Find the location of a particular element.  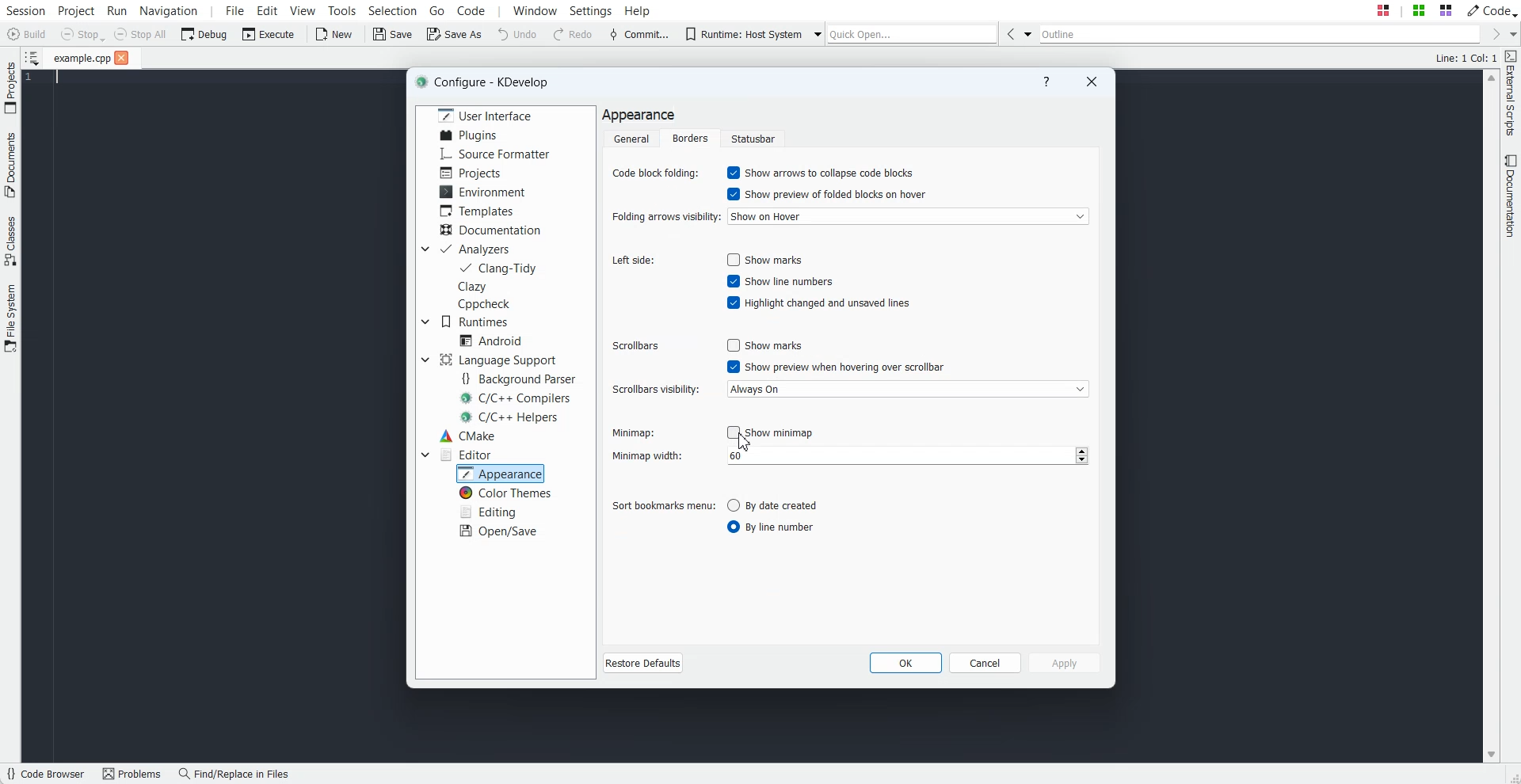

Templates is located at coordinates (478, 210).